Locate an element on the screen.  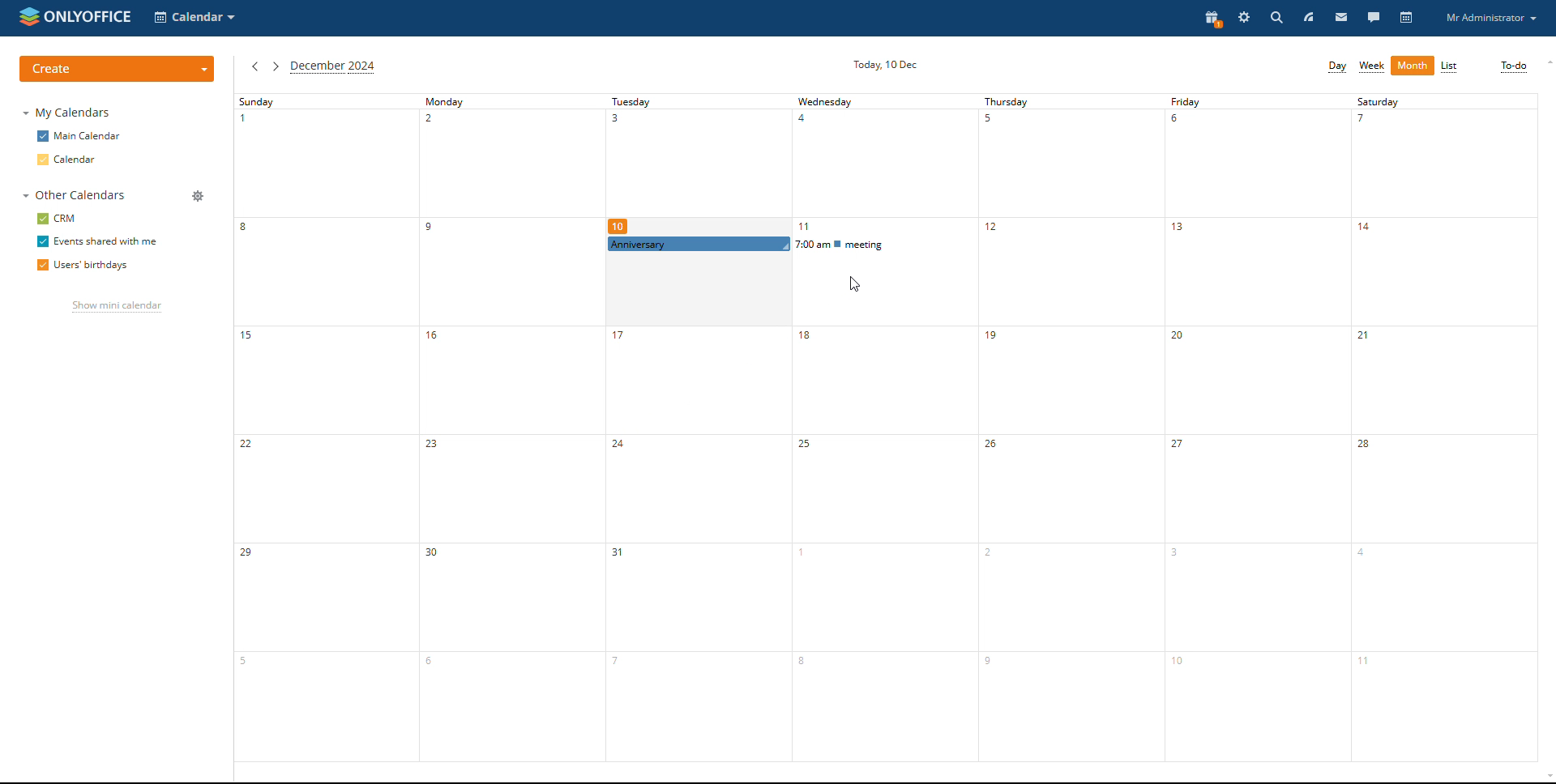
friday is located at coordinates (1258, 428).